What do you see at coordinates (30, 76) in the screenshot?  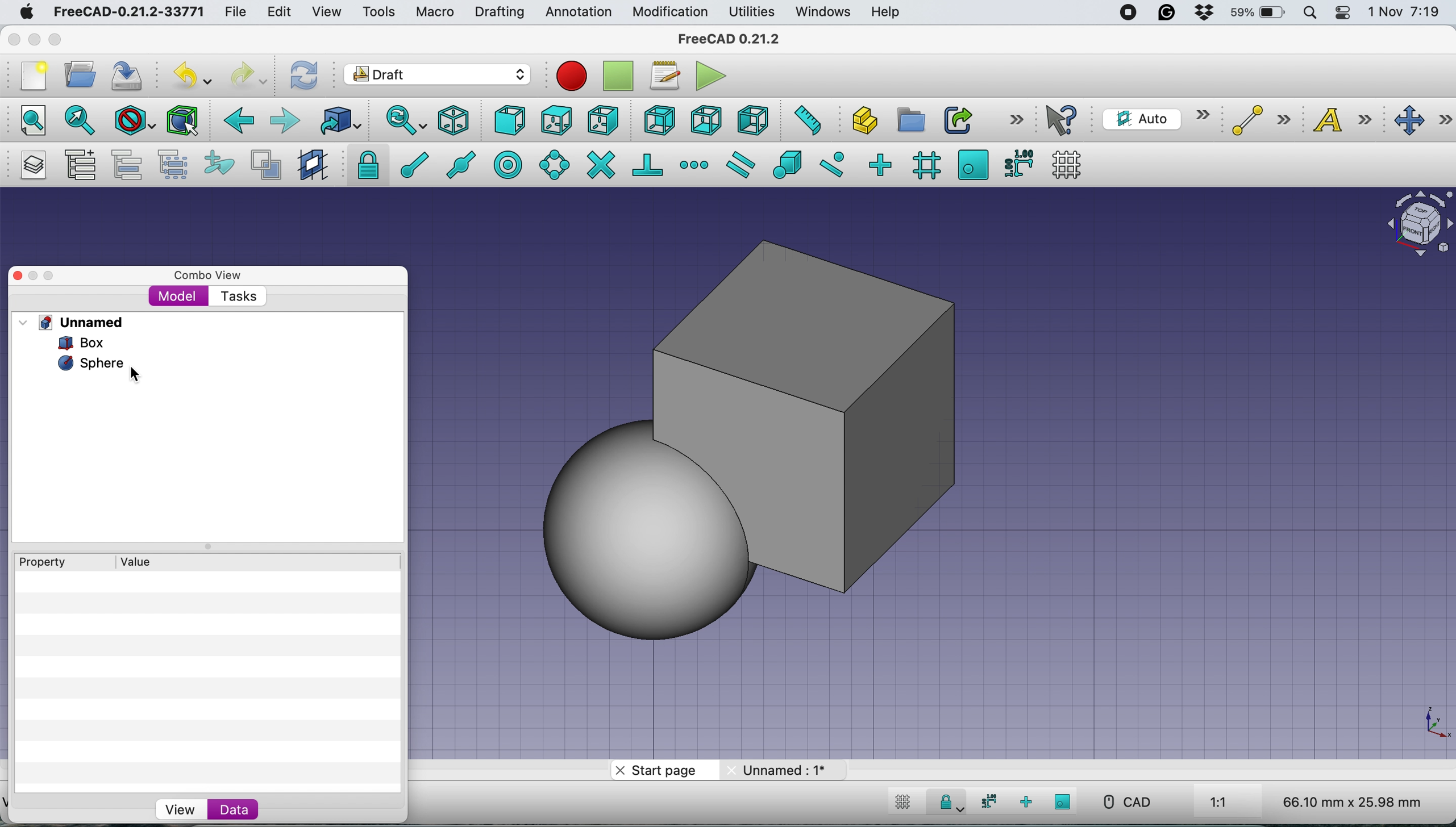 I see `new` at bounding box center [30, 76].